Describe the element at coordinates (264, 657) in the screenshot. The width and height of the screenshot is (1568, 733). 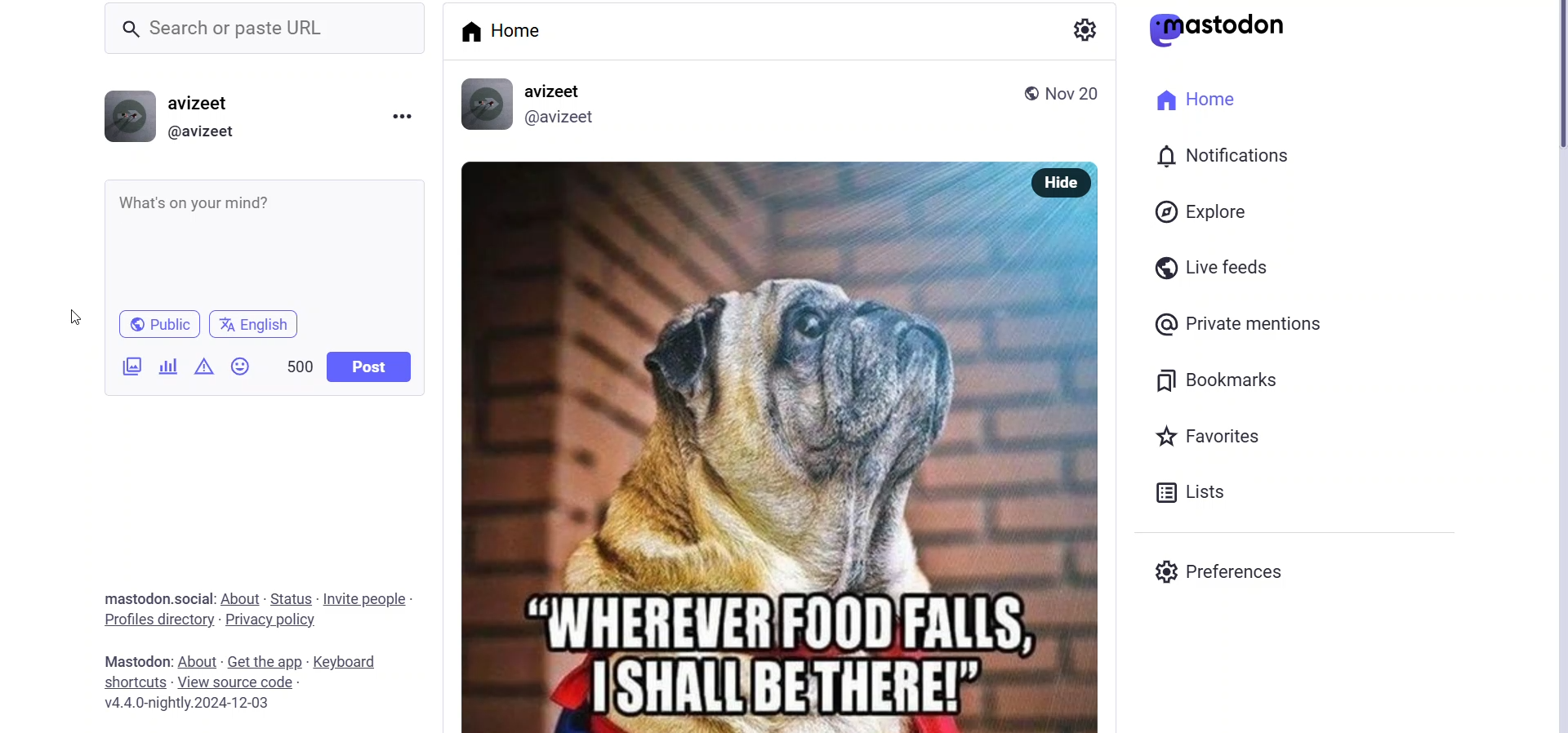
I see `get the app` at that location.